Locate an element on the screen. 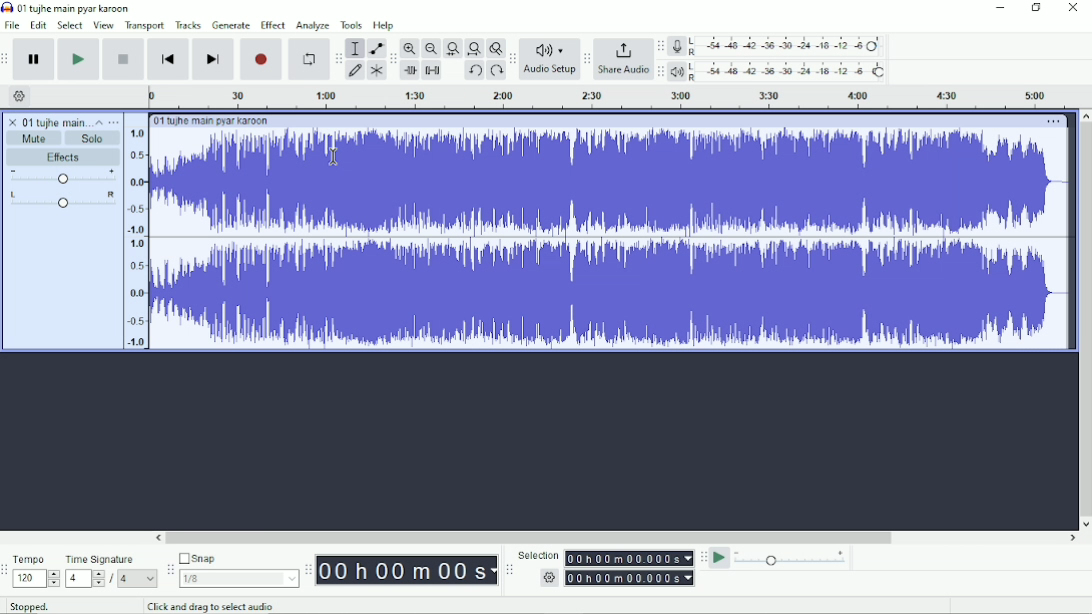 The height and width of the screenshot is (614, 1092). Playback meter is located at coordinates (779, 71).